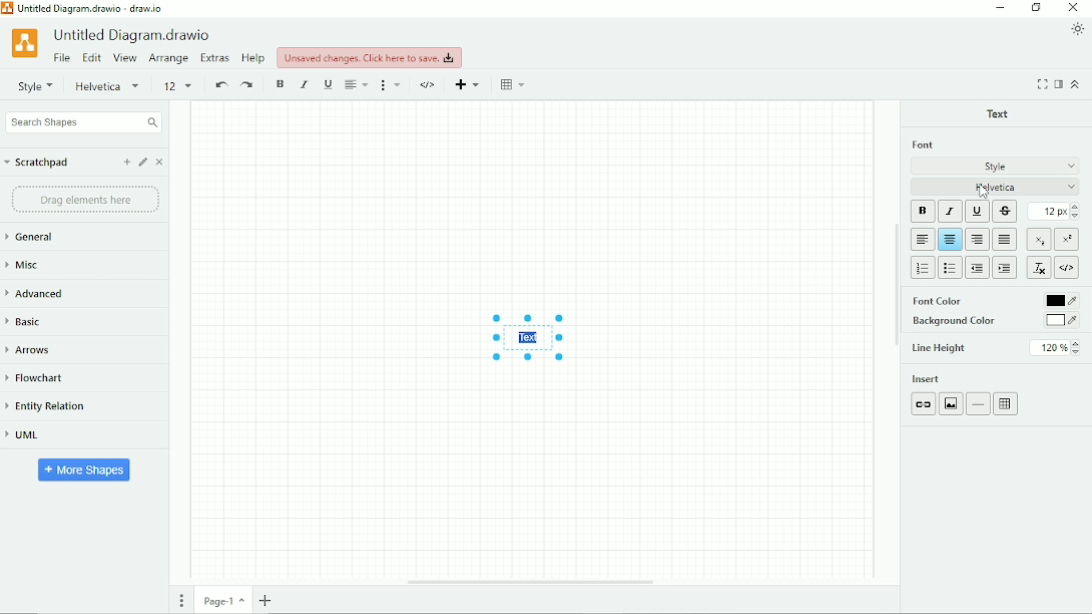 The height and width of the screenshot is (614, 1092). Describe the element at coordinates (369, 57) in the screenshot. I see `Unsaved changes. Click here to save.  ` at that location.